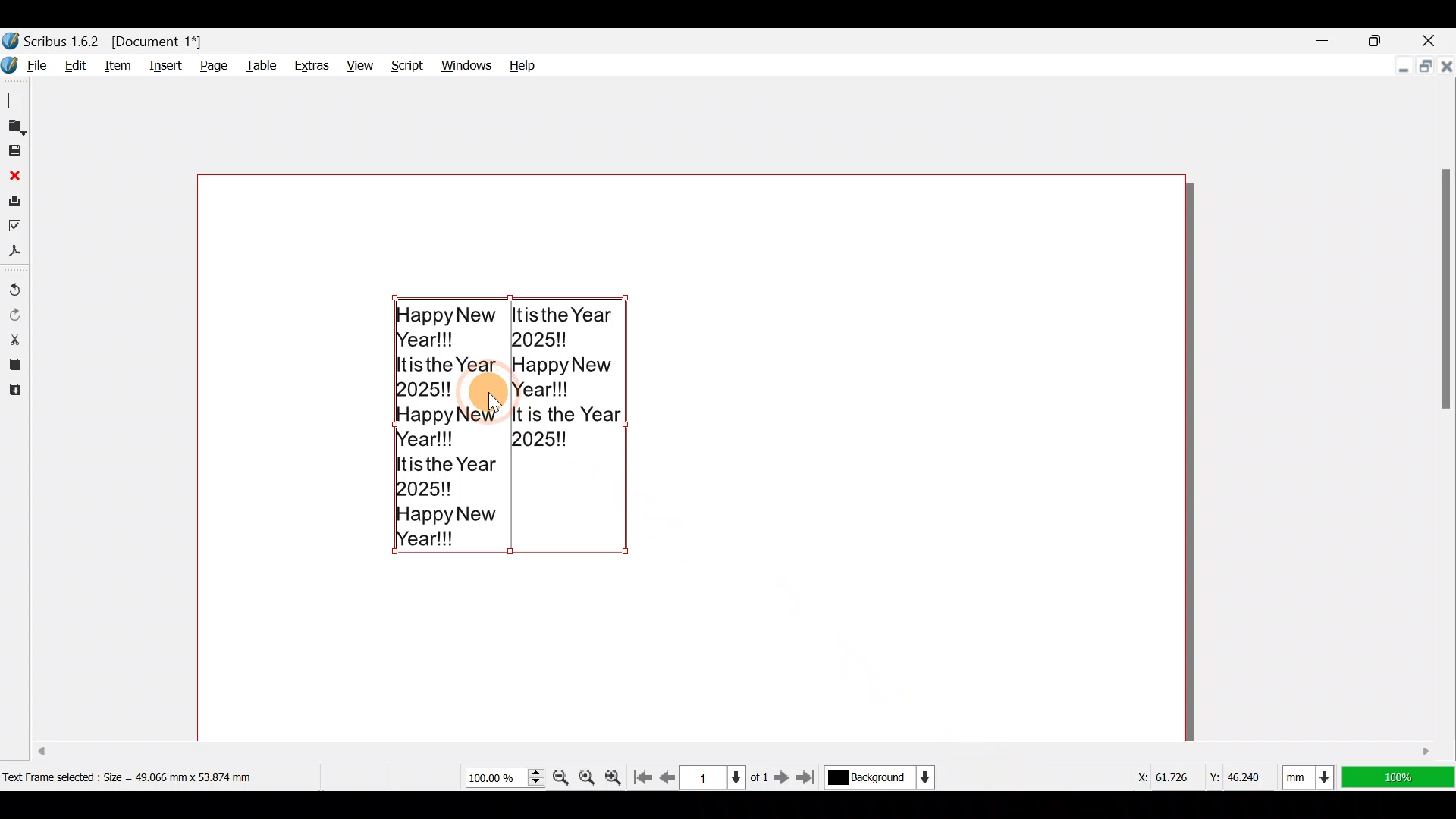  Describe the element at coordinates (15, 200) in the screenshot. I see `Print` at that location.